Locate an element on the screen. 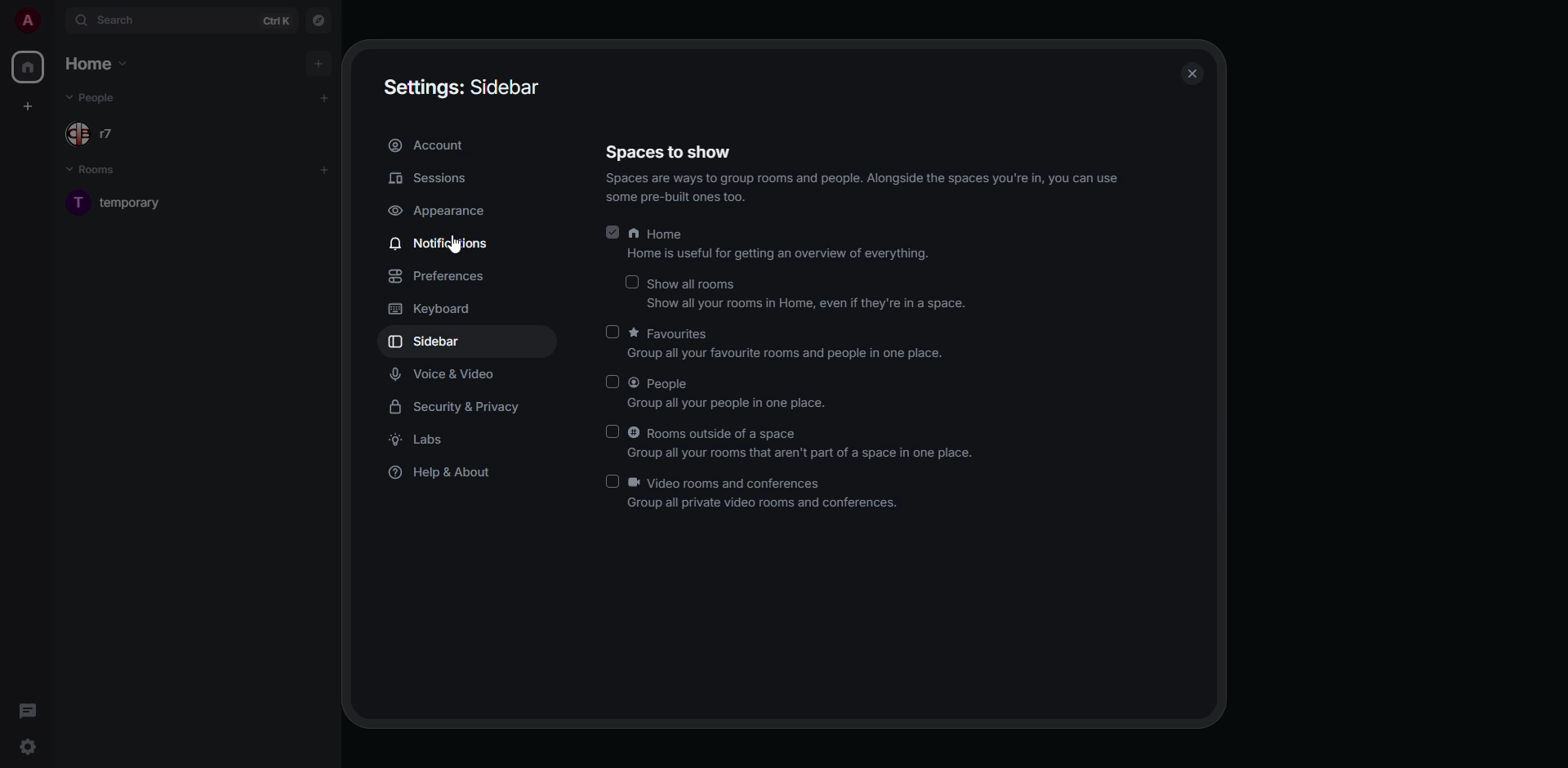 The width and height of the screenshot is (1568, 768). show all rooms is located at coordinates (807, 295).